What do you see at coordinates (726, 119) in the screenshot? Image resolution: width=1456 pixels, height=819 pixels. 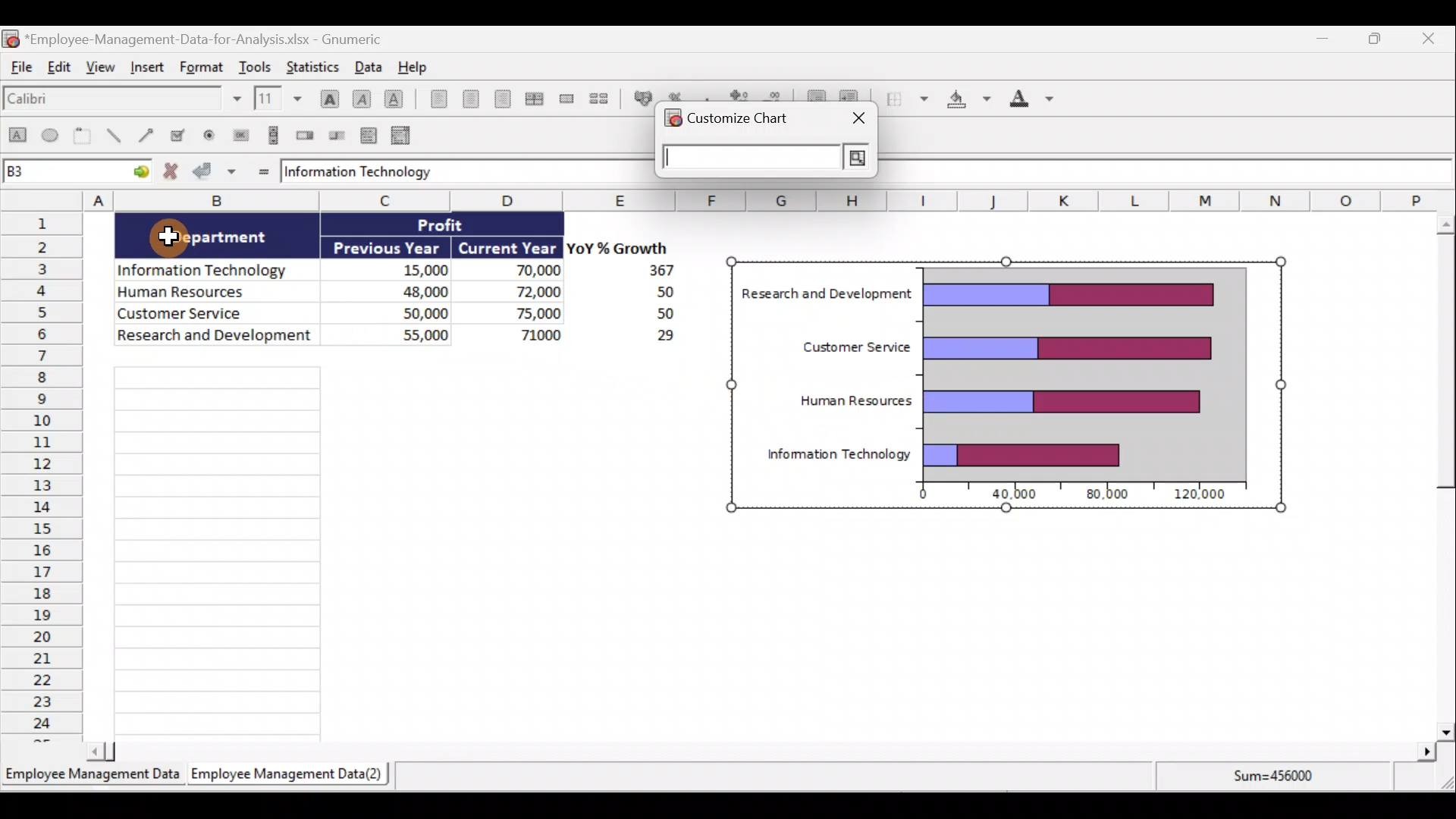 I see `customize chart` at bounding box center [726, 119].